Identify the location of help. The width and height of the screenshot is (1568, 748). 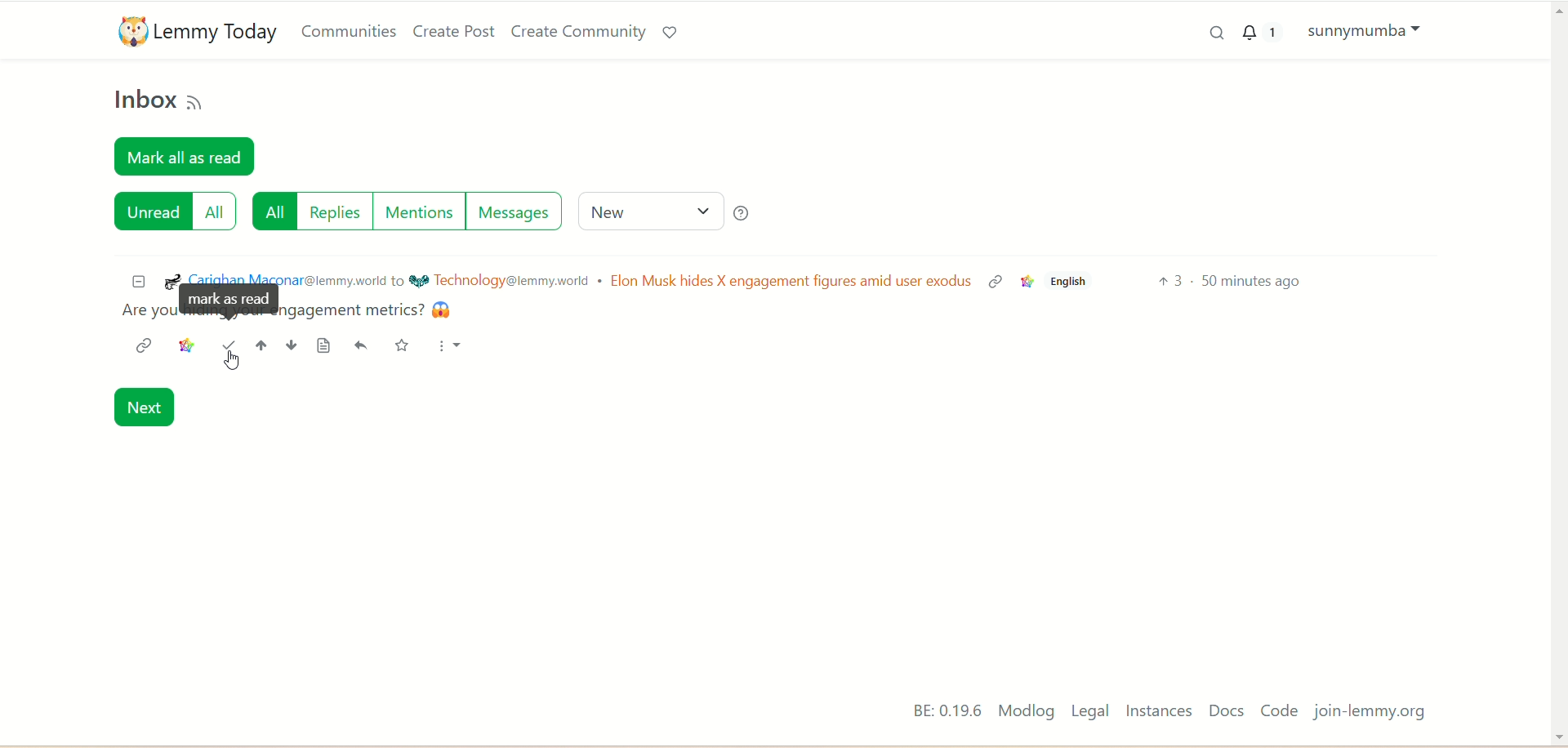
(747, 212).